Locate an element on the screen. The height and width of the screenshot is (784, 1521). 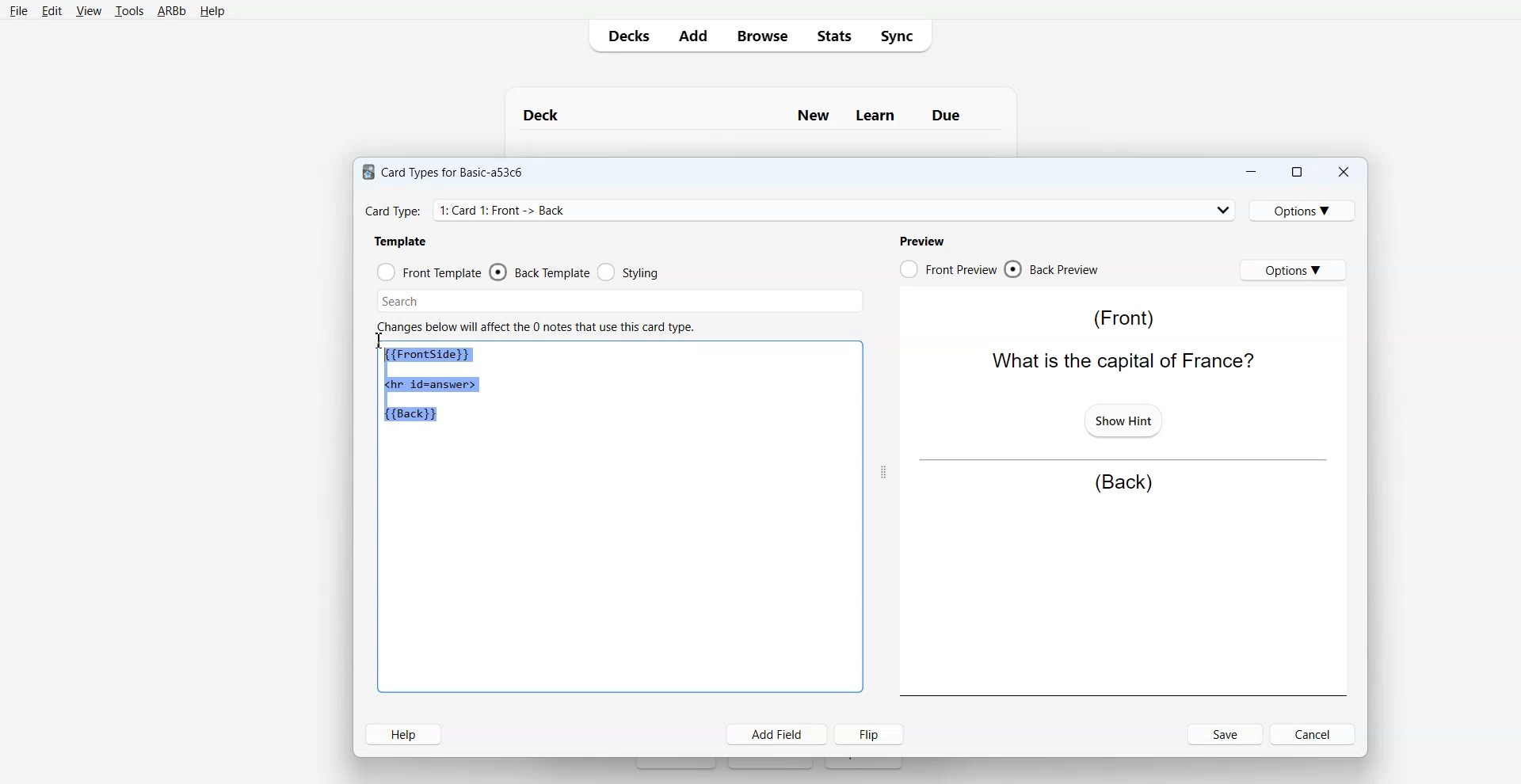
Help is located at coordinates (212, 12).